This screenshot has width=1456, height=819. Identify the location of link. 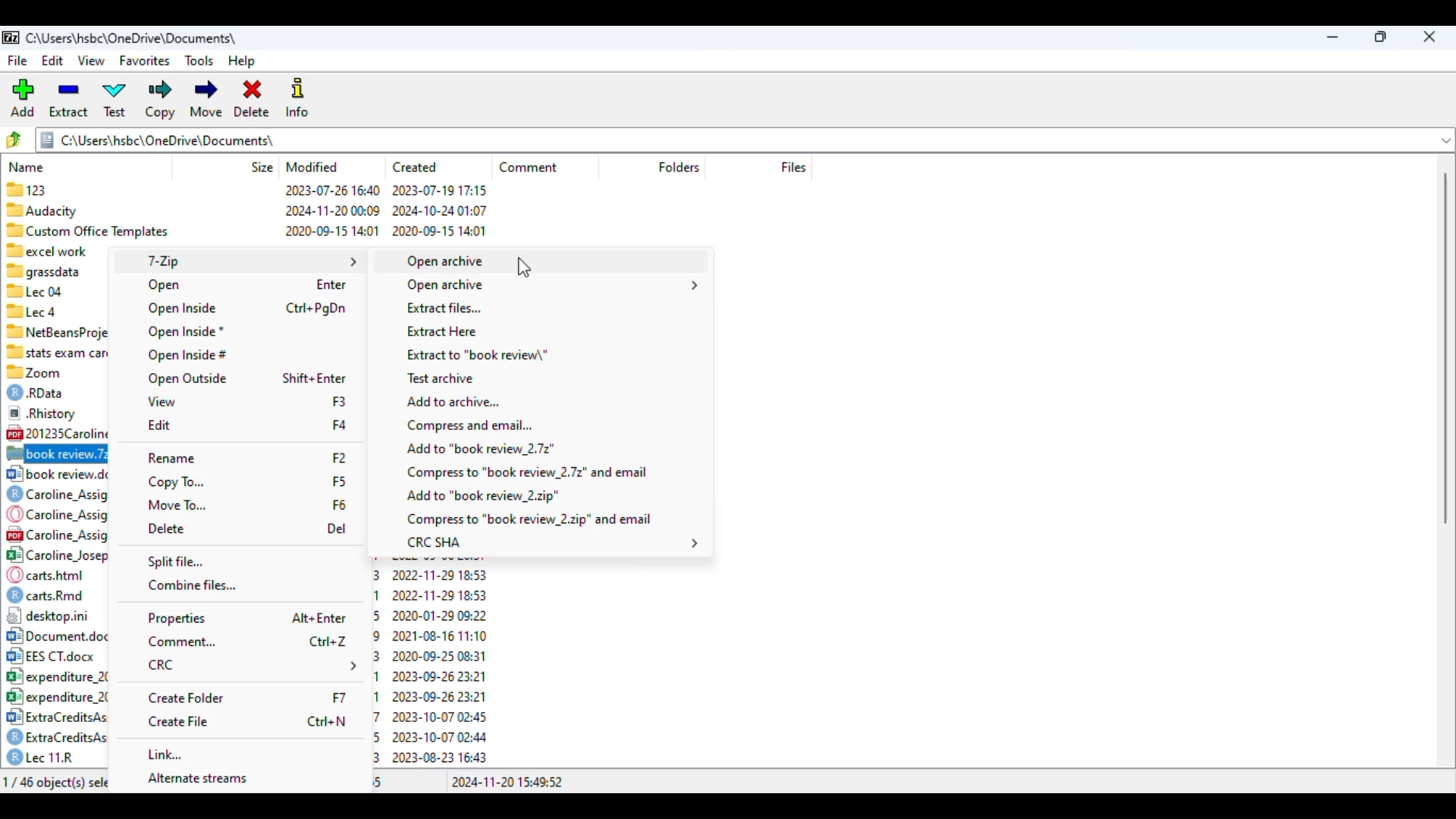
(165, 755).